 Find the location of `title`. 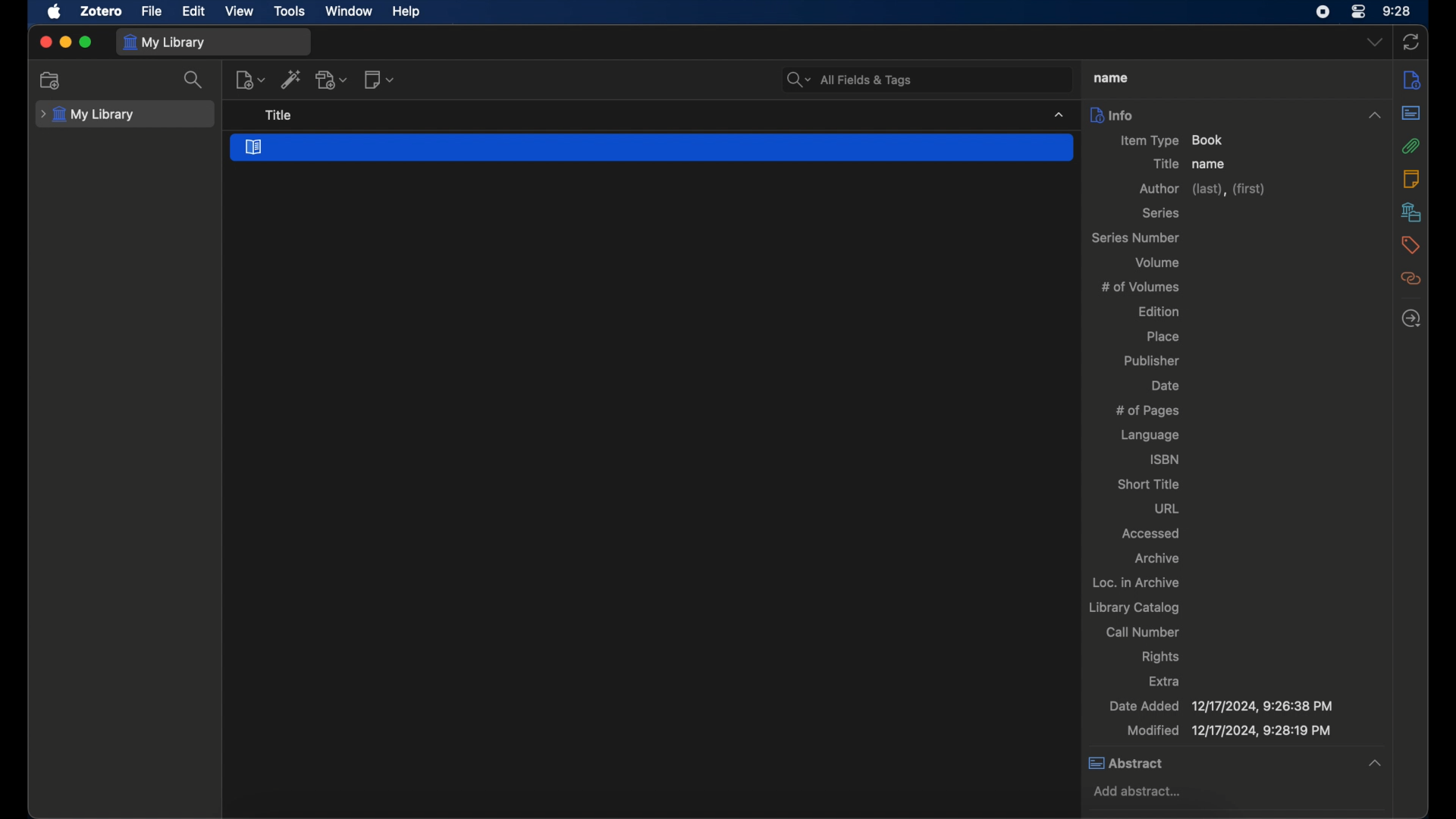

title is located at coordinates (1163, 163).